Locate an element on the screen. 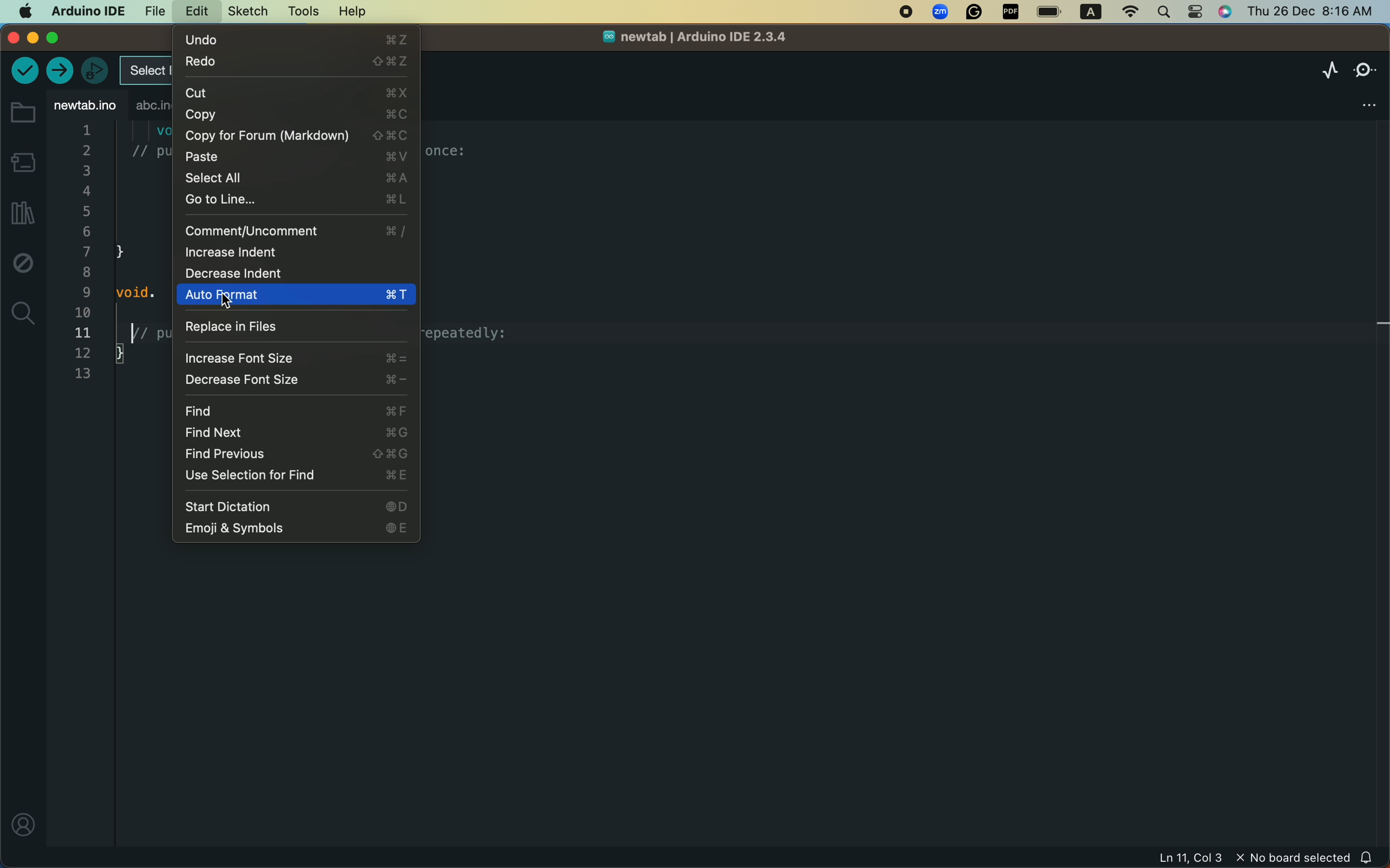  debug is located at coordinates (23, 266).